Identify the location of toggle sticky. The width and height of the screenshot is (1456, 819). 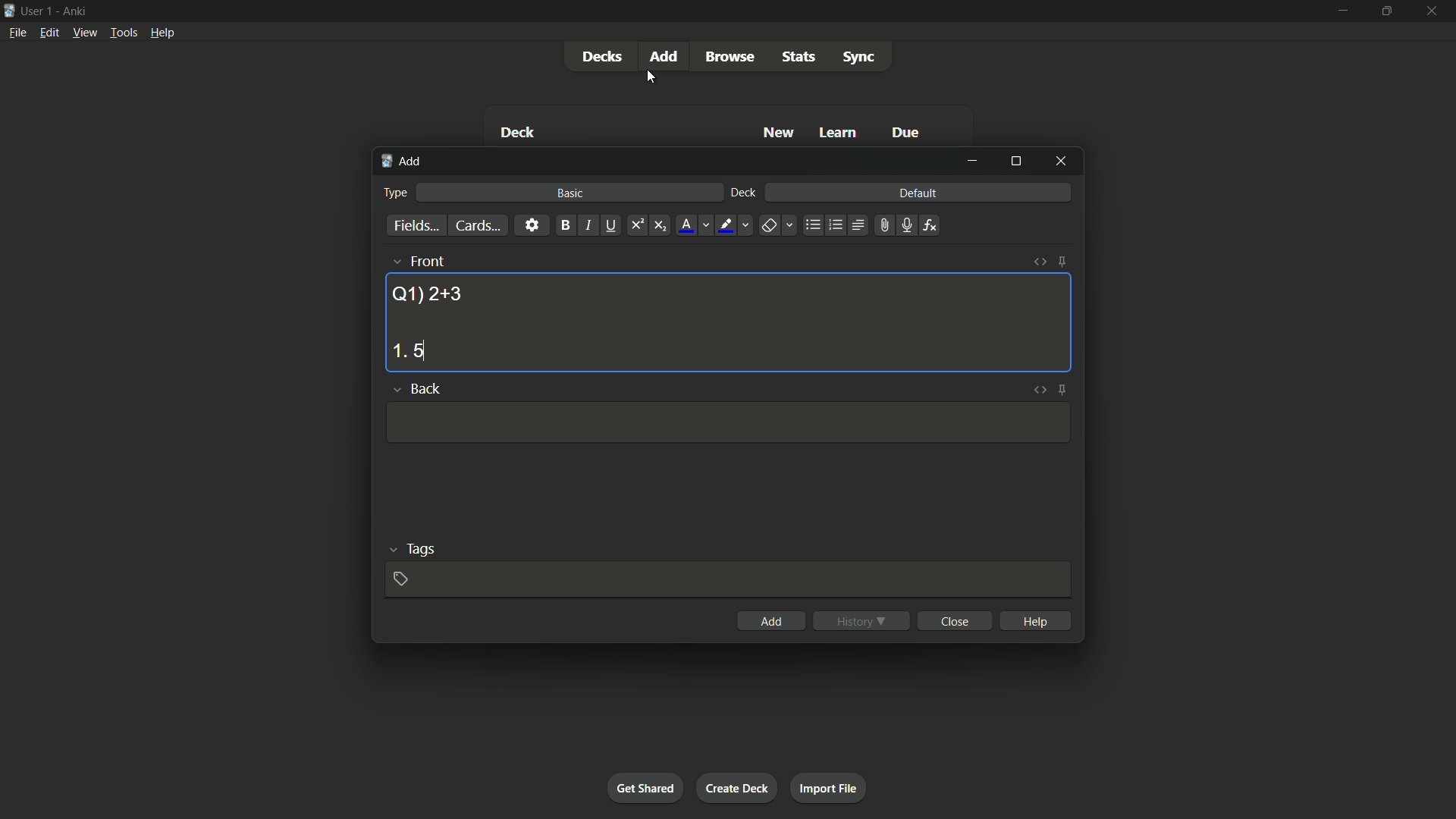
(1063, 389).